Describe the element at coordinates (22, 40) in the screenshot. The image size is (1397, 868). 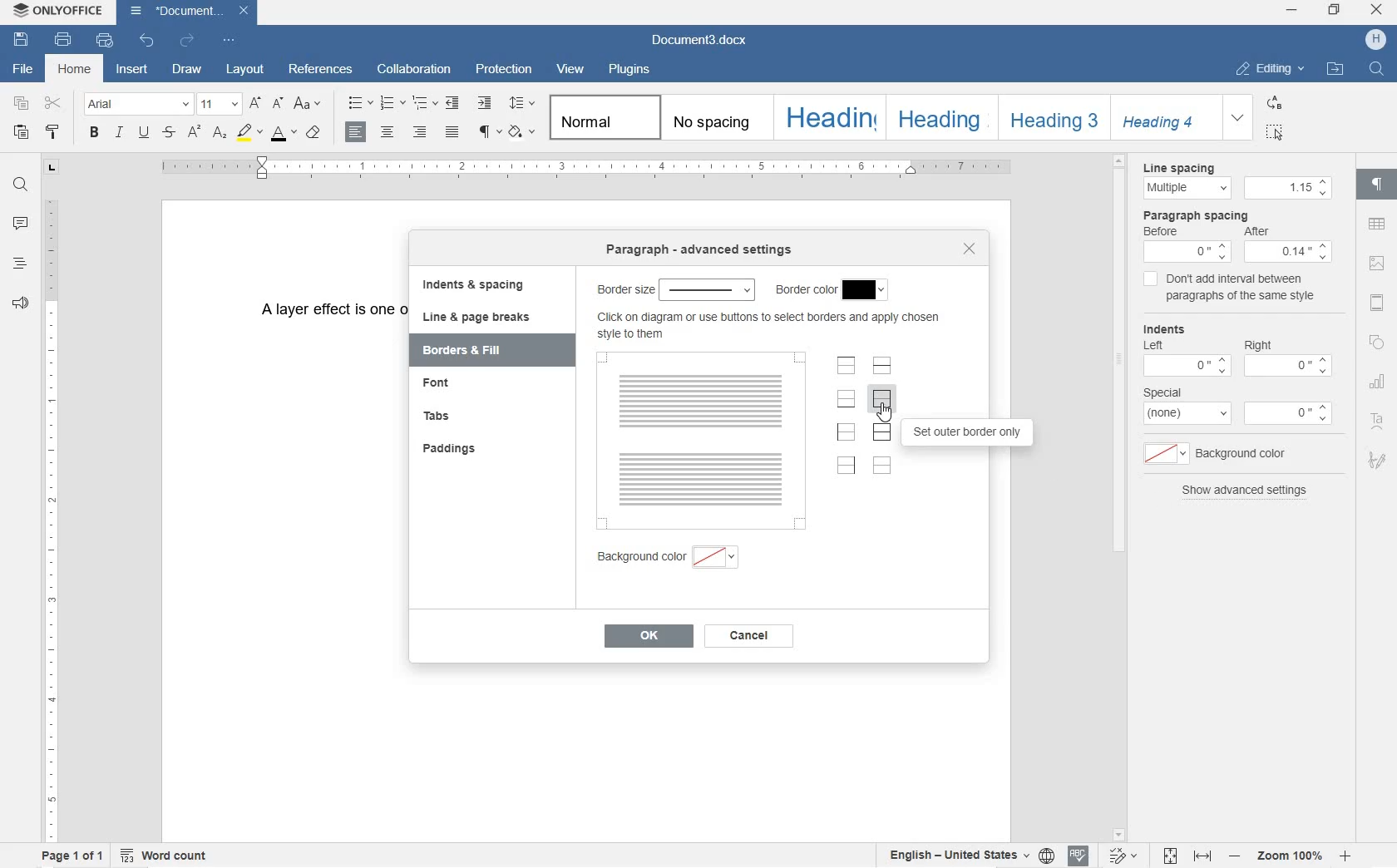
I see `SAVE` at that location.